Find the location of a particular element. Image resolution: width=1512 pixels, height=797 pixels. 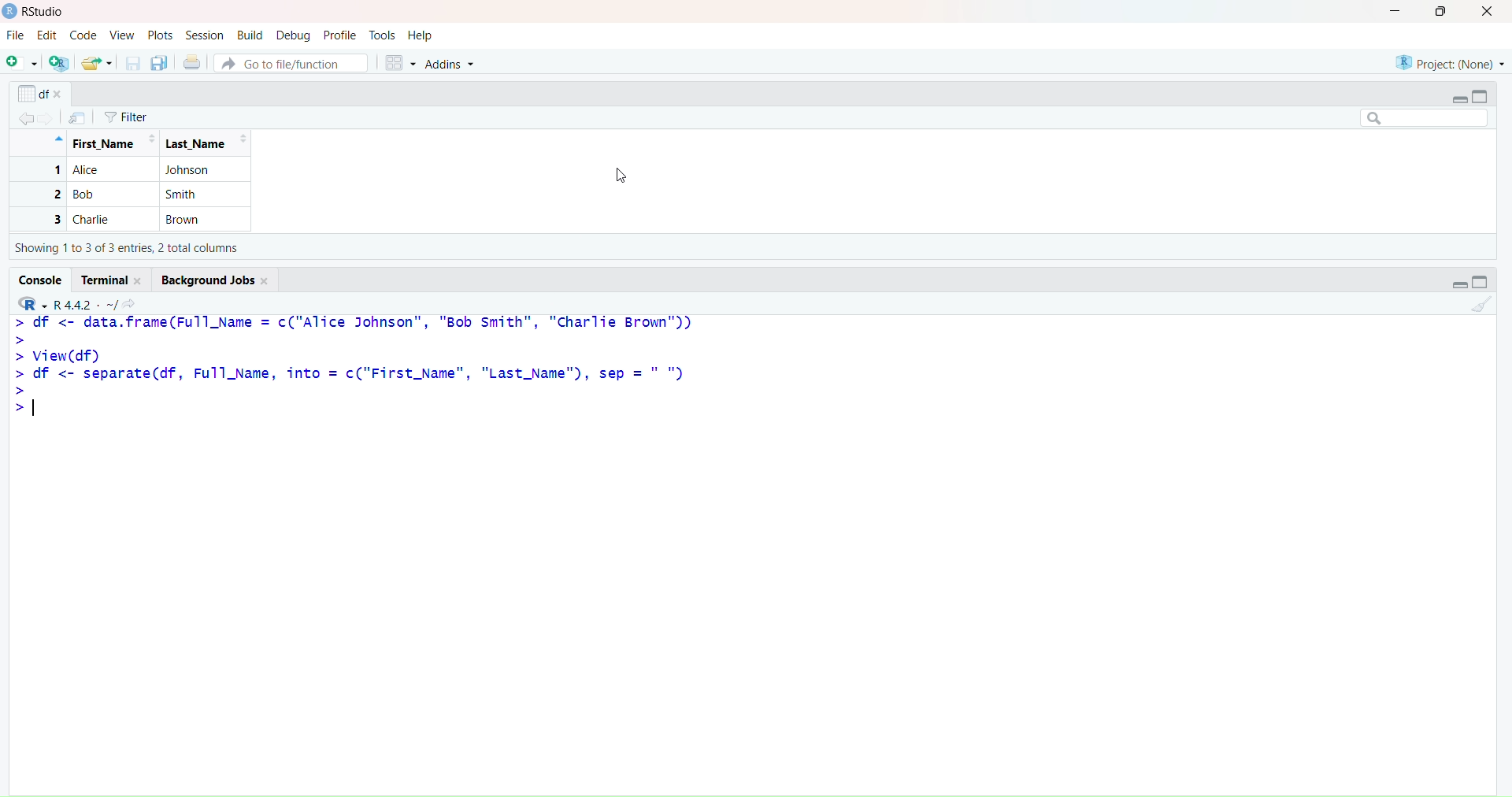

Cursor is located at coordinates (618, 177).